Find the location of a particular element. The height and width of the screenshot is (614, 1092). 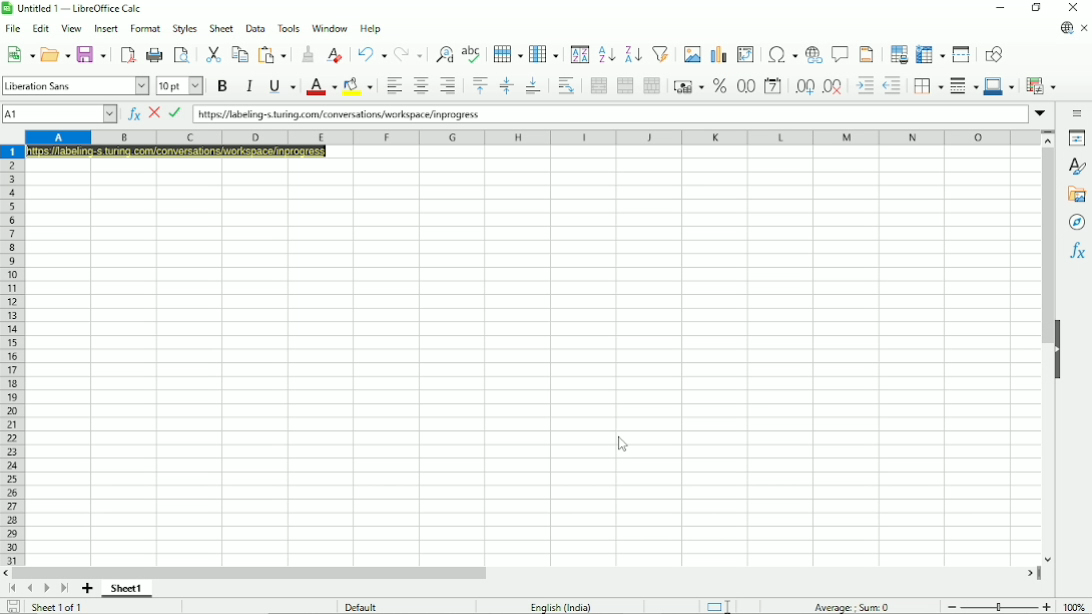

Sort is located at coordinates (580, 55).